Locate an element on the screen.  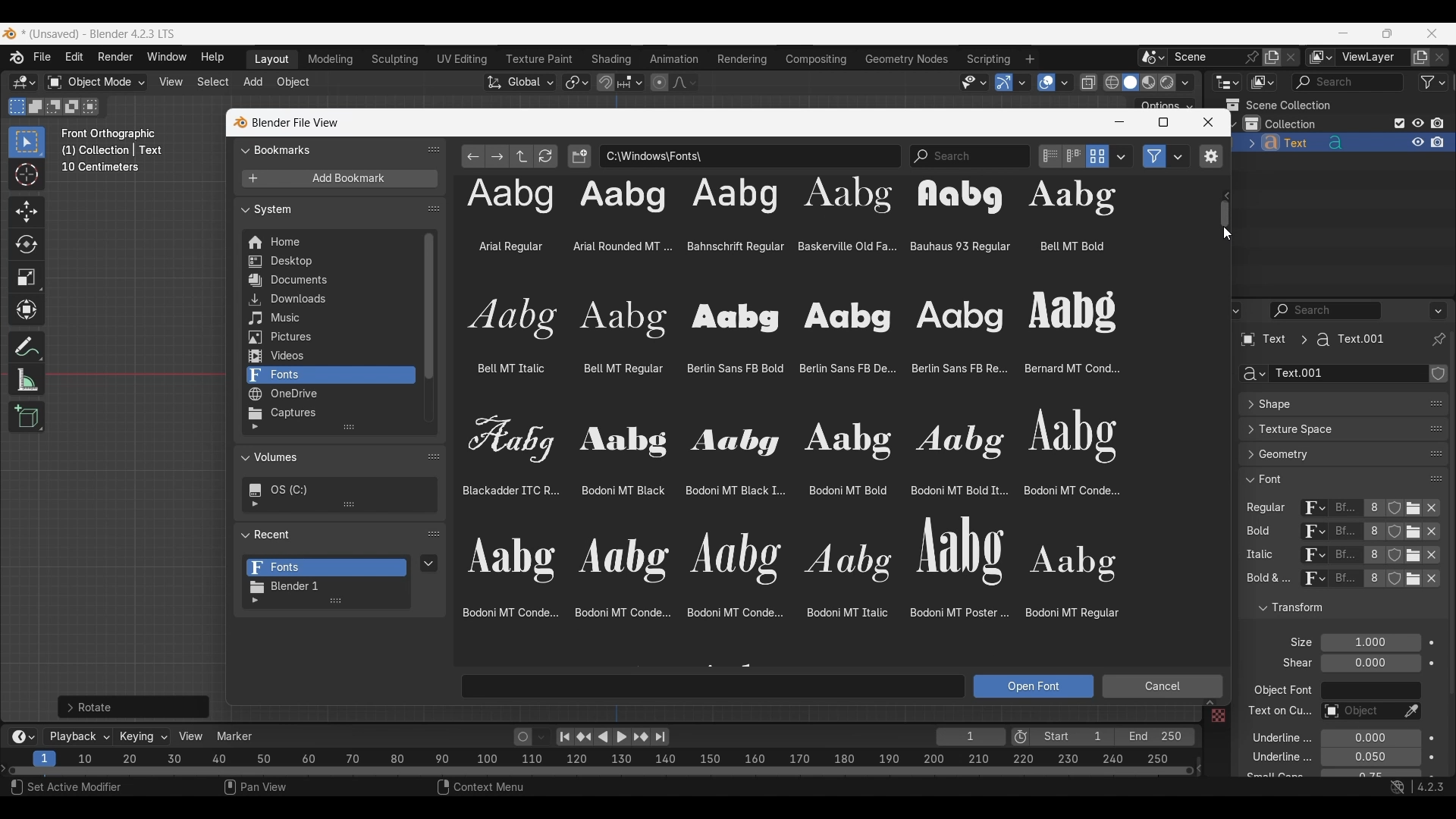
Click to collapse Transform is located at coordinates (1330, 608).